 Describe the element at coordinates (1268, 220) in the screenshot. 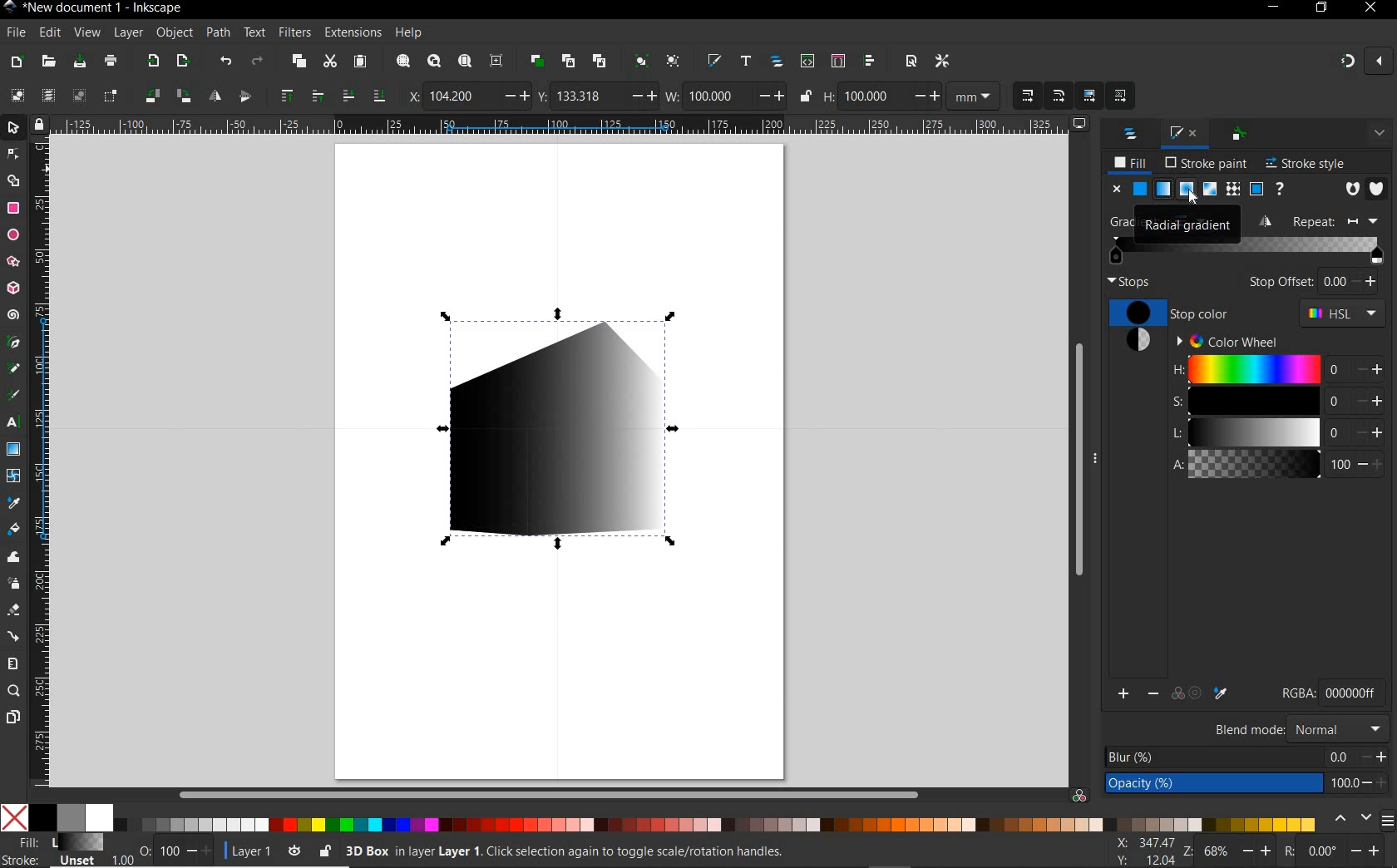

I see `flip` at that location.